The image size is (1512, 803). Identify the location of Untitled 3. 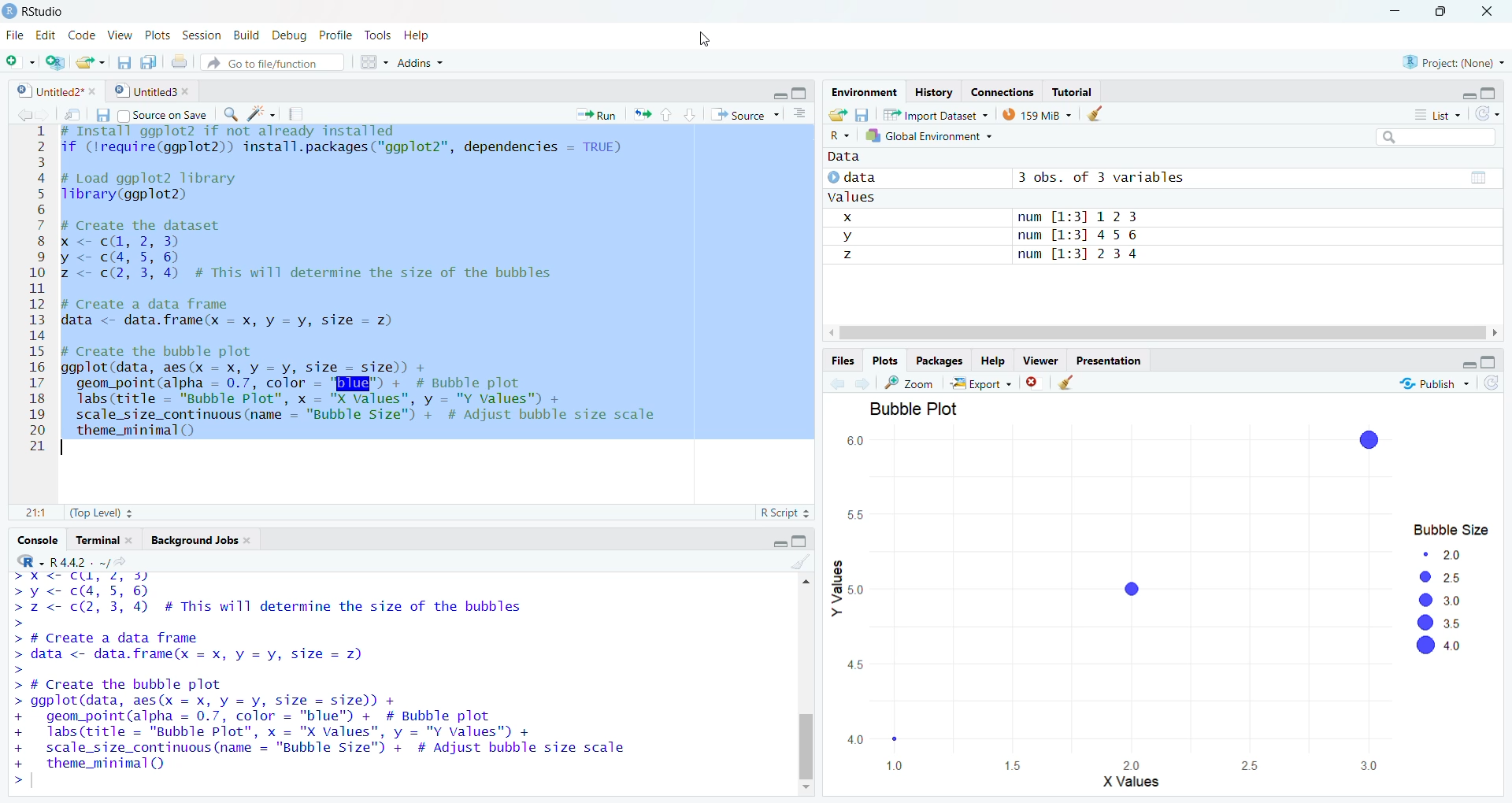
(152, 91).